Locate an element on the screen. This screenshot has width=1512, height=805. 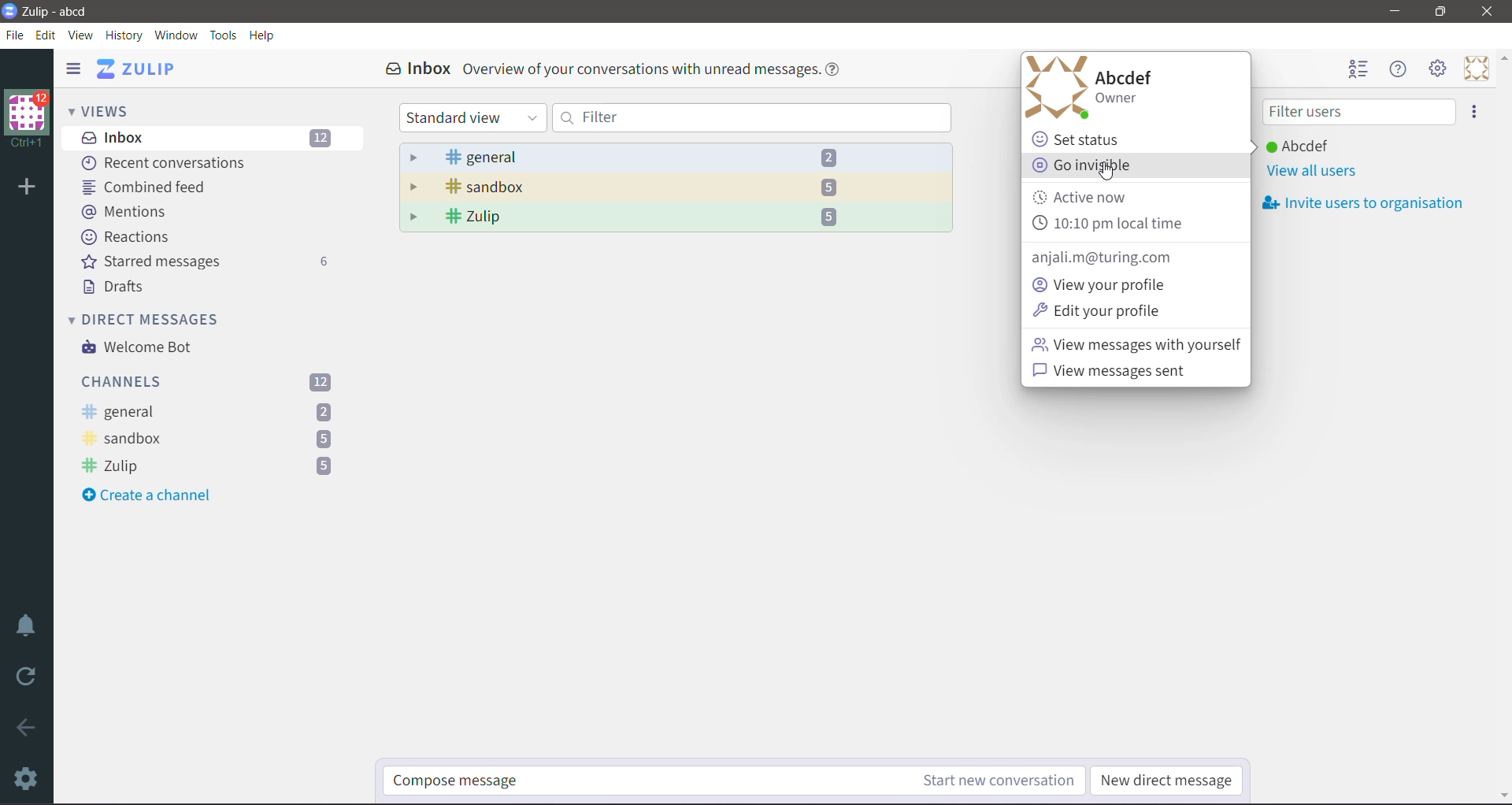
Organization logo and message count is located at coordinates (28, 116).